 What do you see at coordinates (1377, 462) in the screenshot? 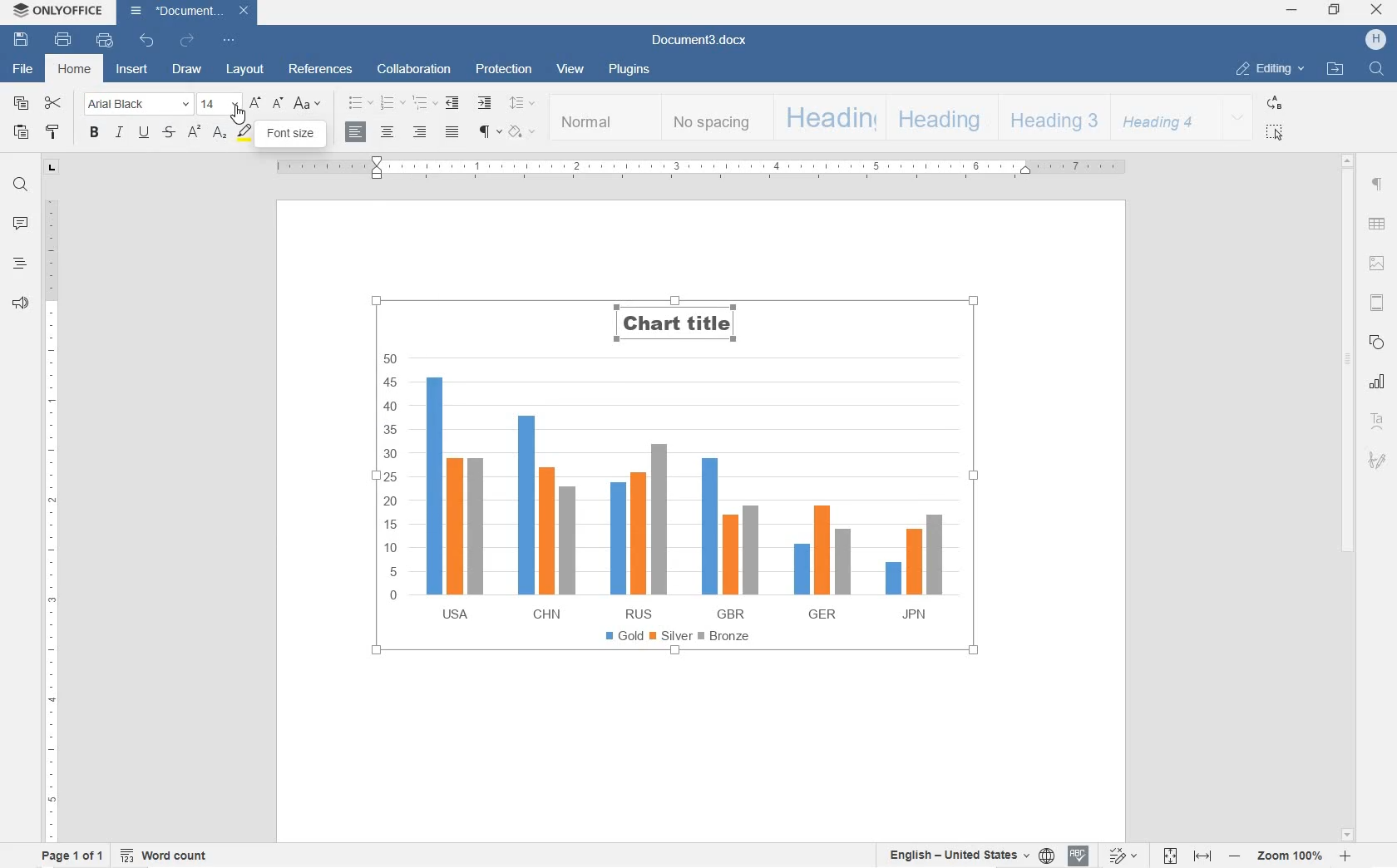
I see `SIGNATURE` at bounding box center [1377, 462].